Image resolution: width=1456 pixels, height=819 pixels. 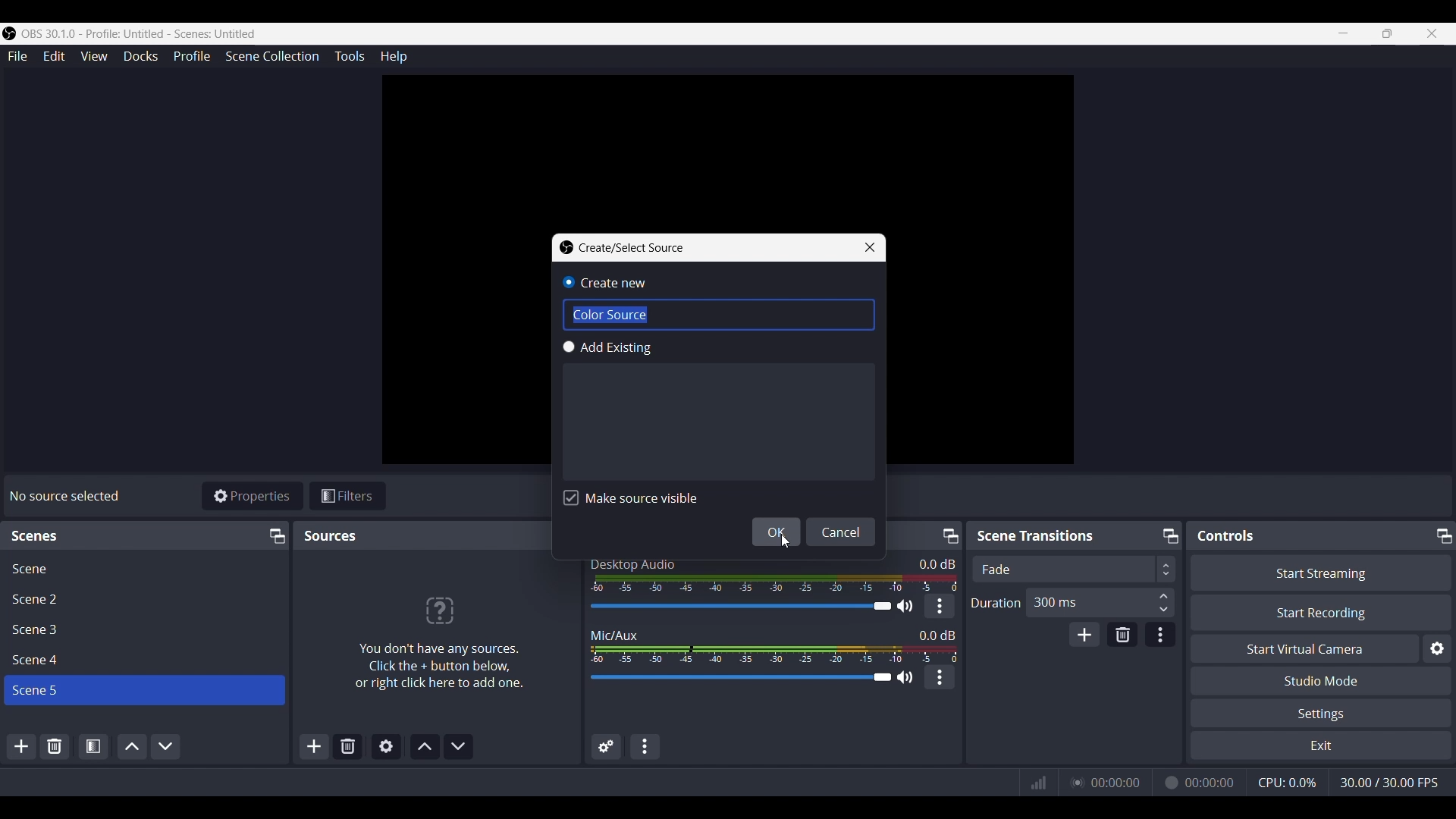 What do you see at coordinates (1169, 782) in the screenshot?
I see `Recording` at bounding box center [1169, 782].